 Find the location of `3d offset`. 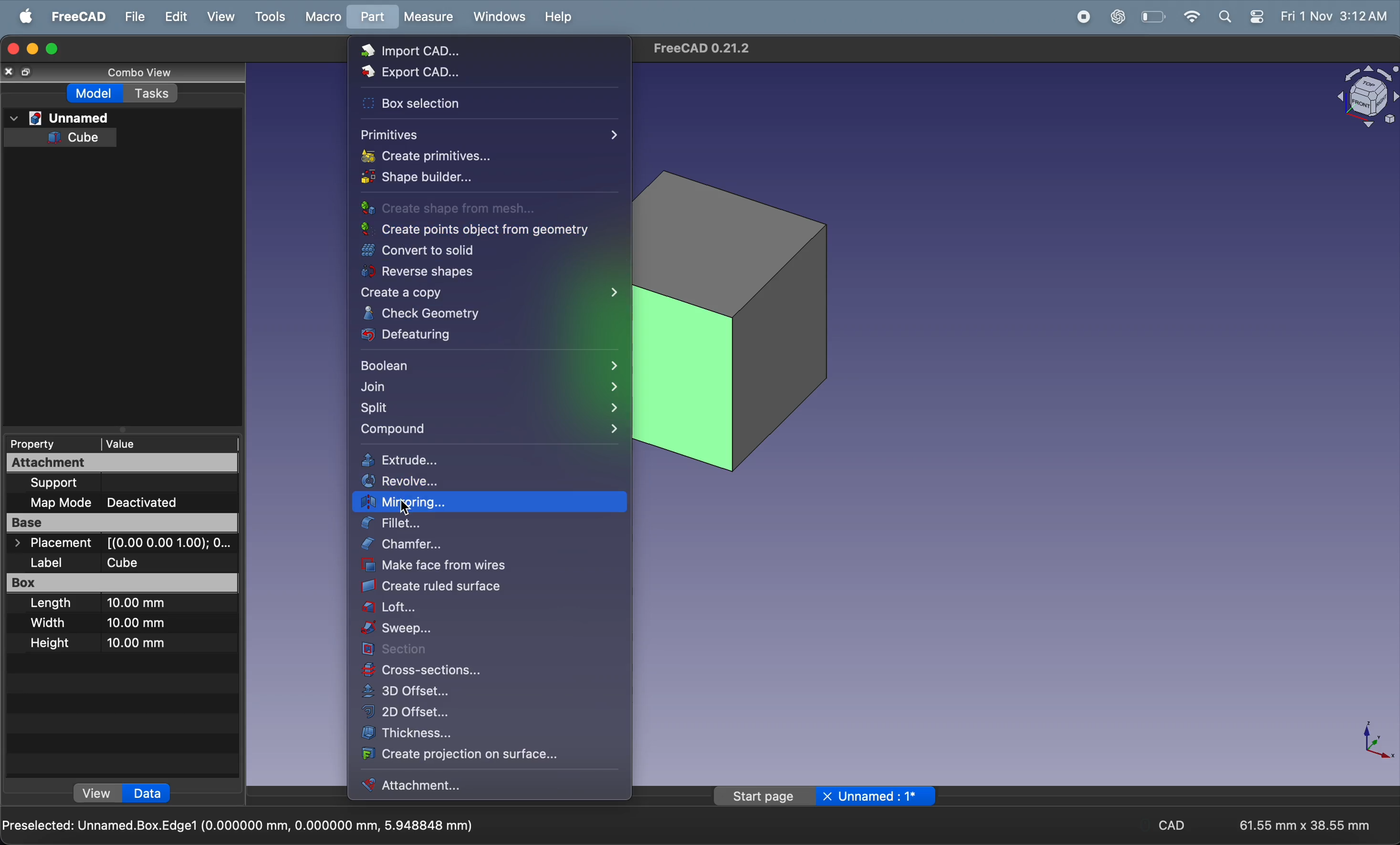

3d offset is located at coordinates (479, 691).